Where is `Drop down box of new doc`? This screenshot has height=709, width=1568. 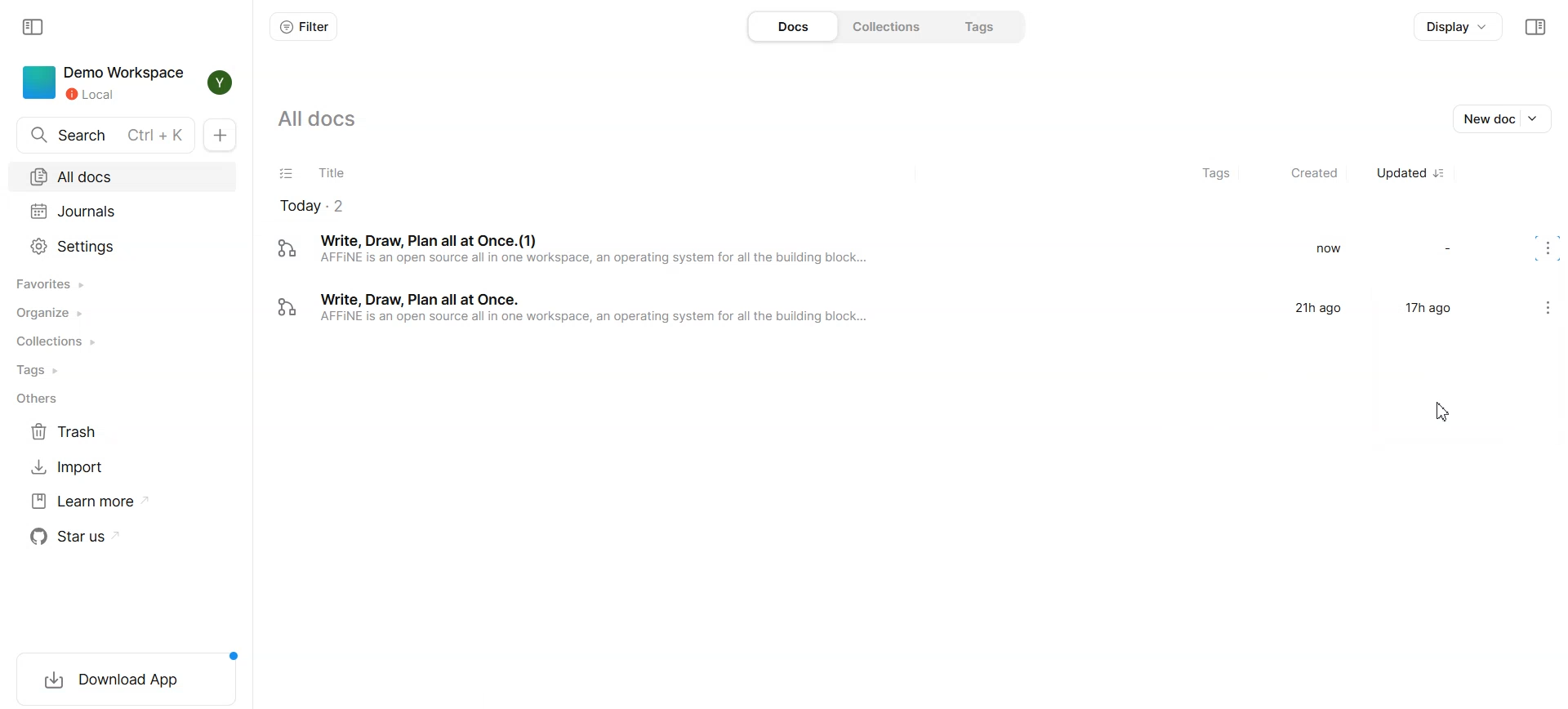
Drop down box of new doc is located at coordinates (1539, 118).